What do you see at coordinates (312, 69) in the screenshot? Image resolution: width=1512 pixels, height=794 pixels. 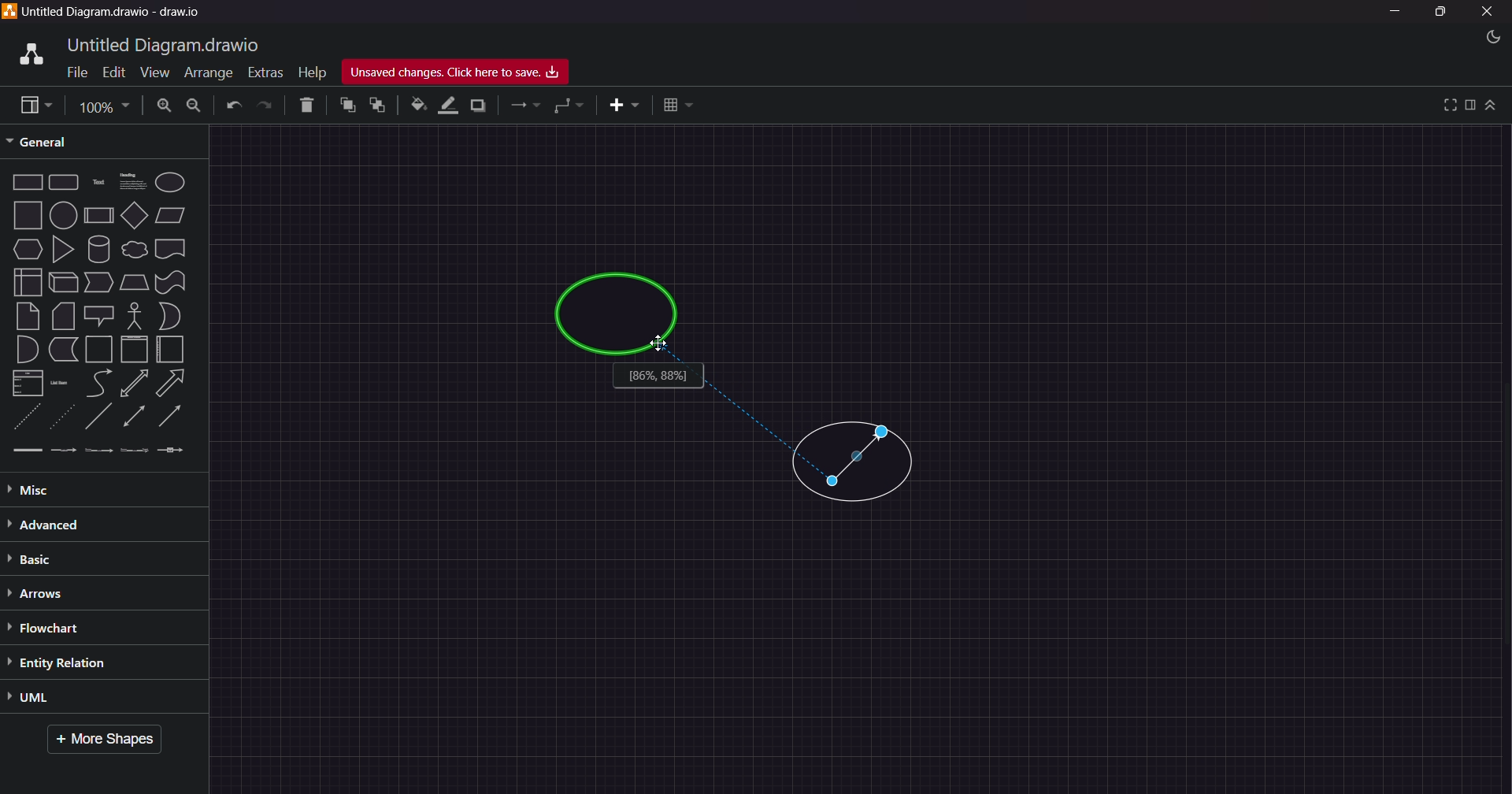 I see `Help` at bounding box center [312, 69].